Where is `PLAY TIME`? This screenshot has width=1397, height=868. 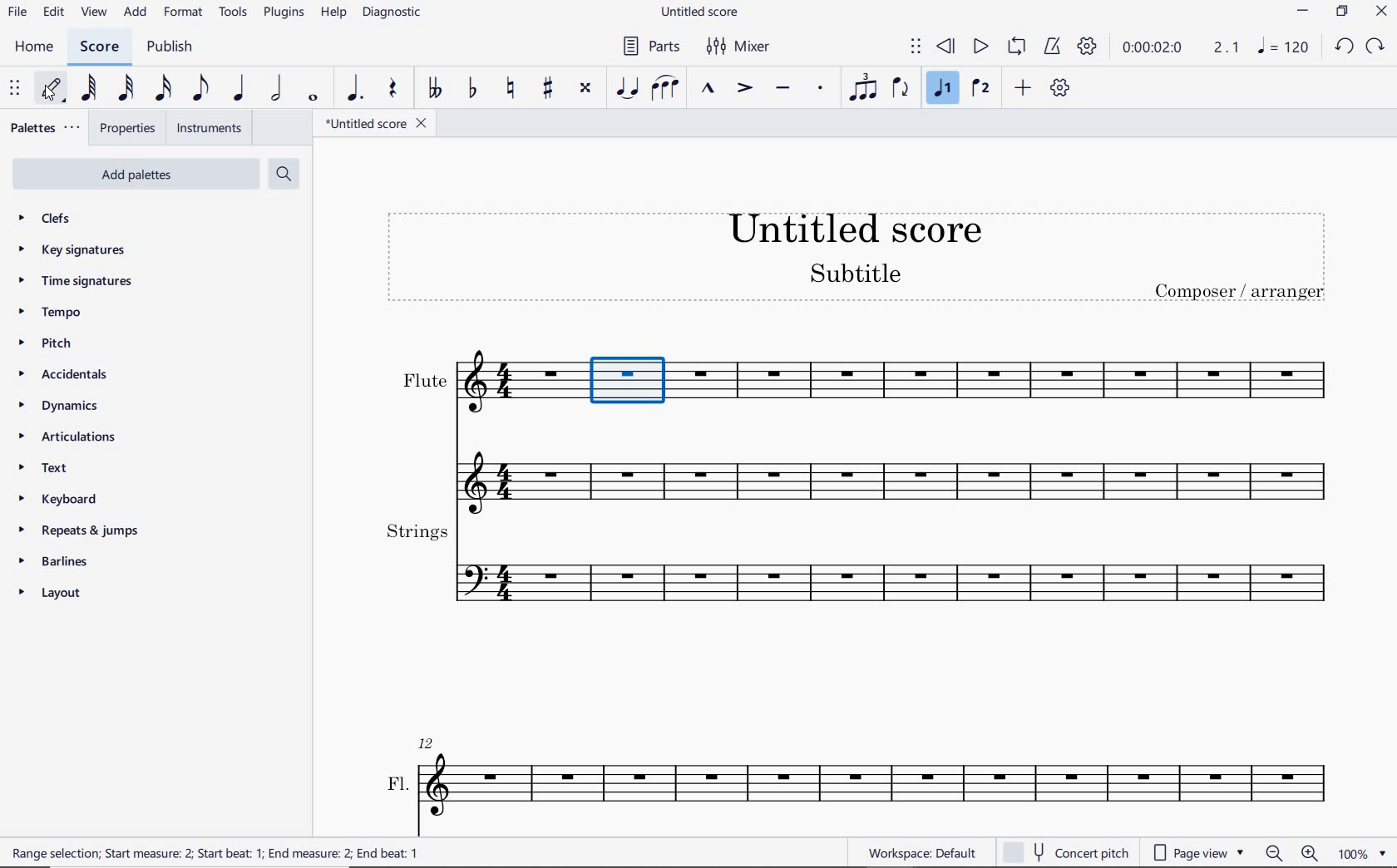 PLAY TIME is located at coordinates (1182, 50).